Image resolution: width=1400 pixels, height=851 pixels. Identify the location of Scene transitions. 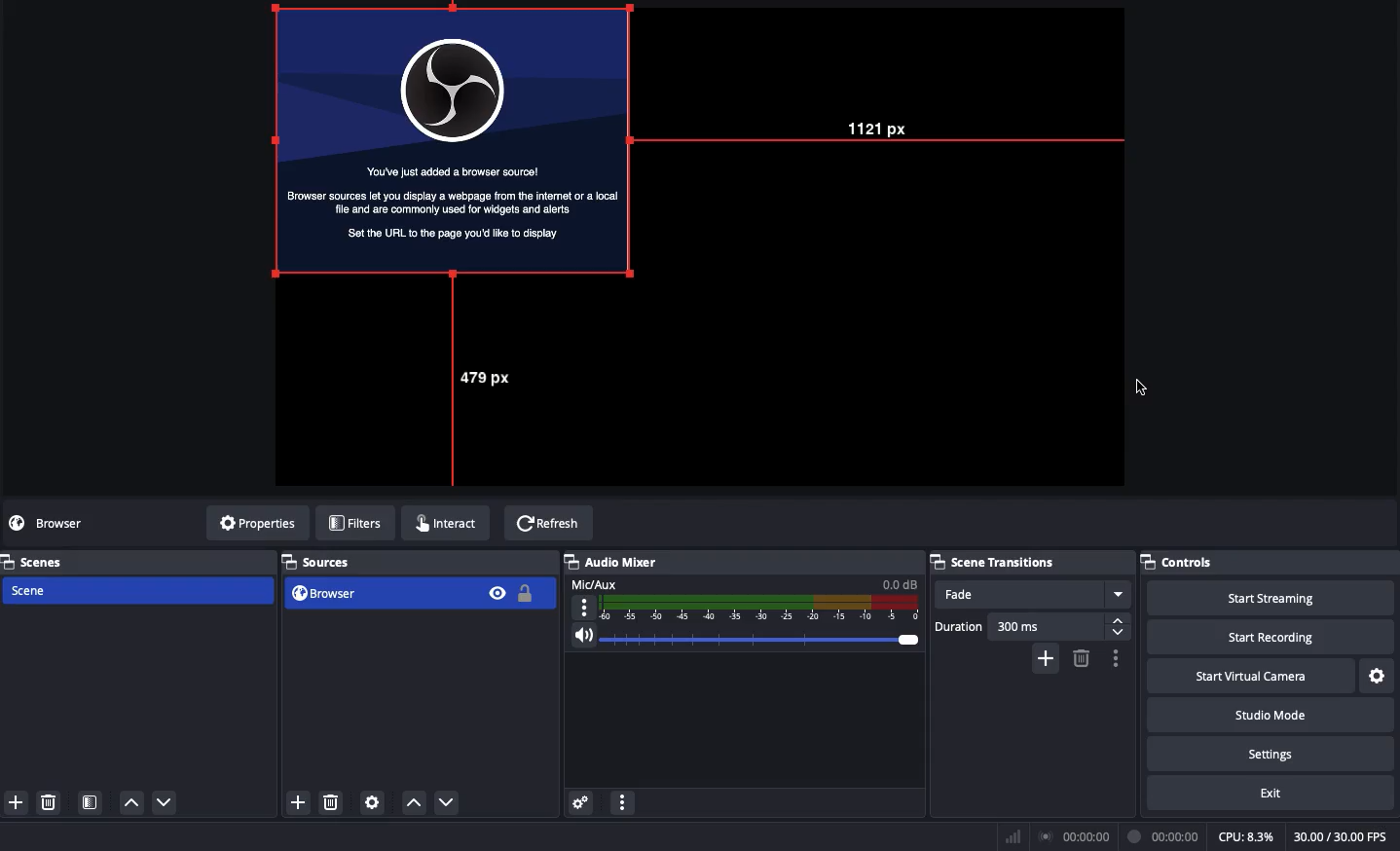
(994, 563).